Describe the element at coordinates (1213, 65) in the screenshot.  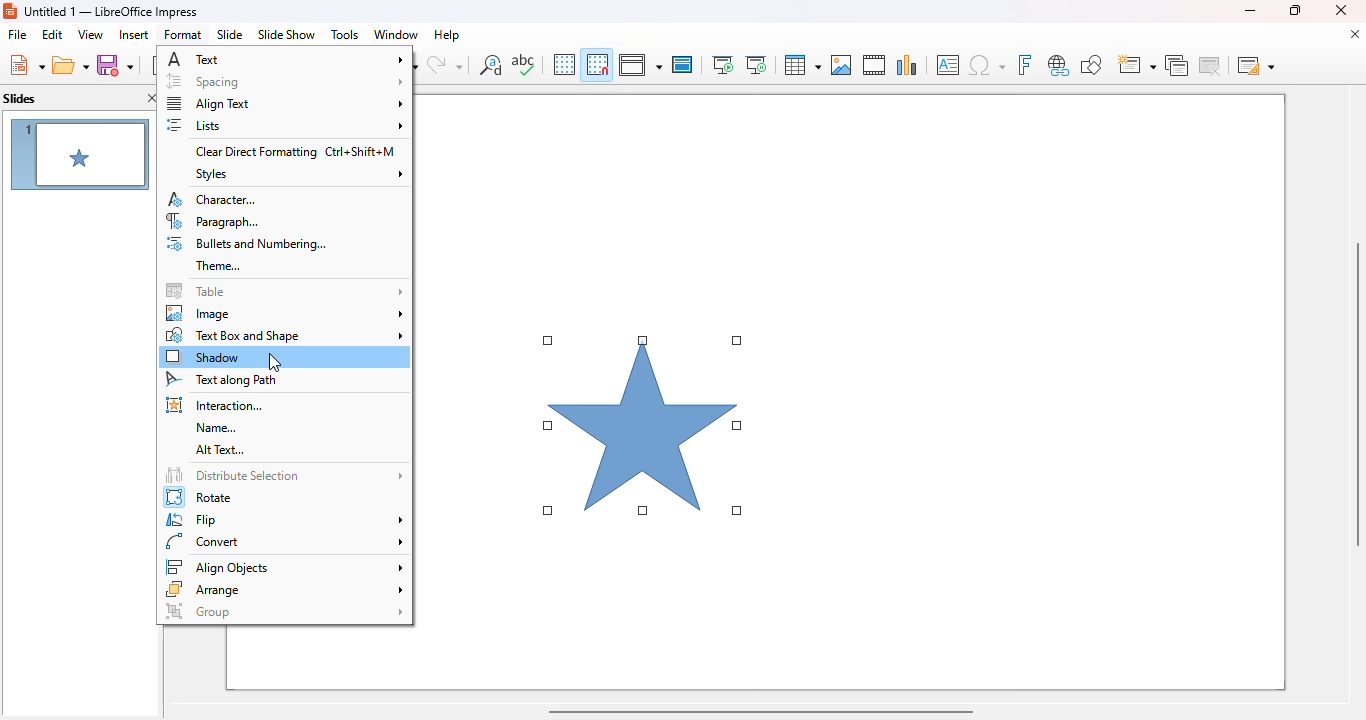
I see `delete slide` at that location.